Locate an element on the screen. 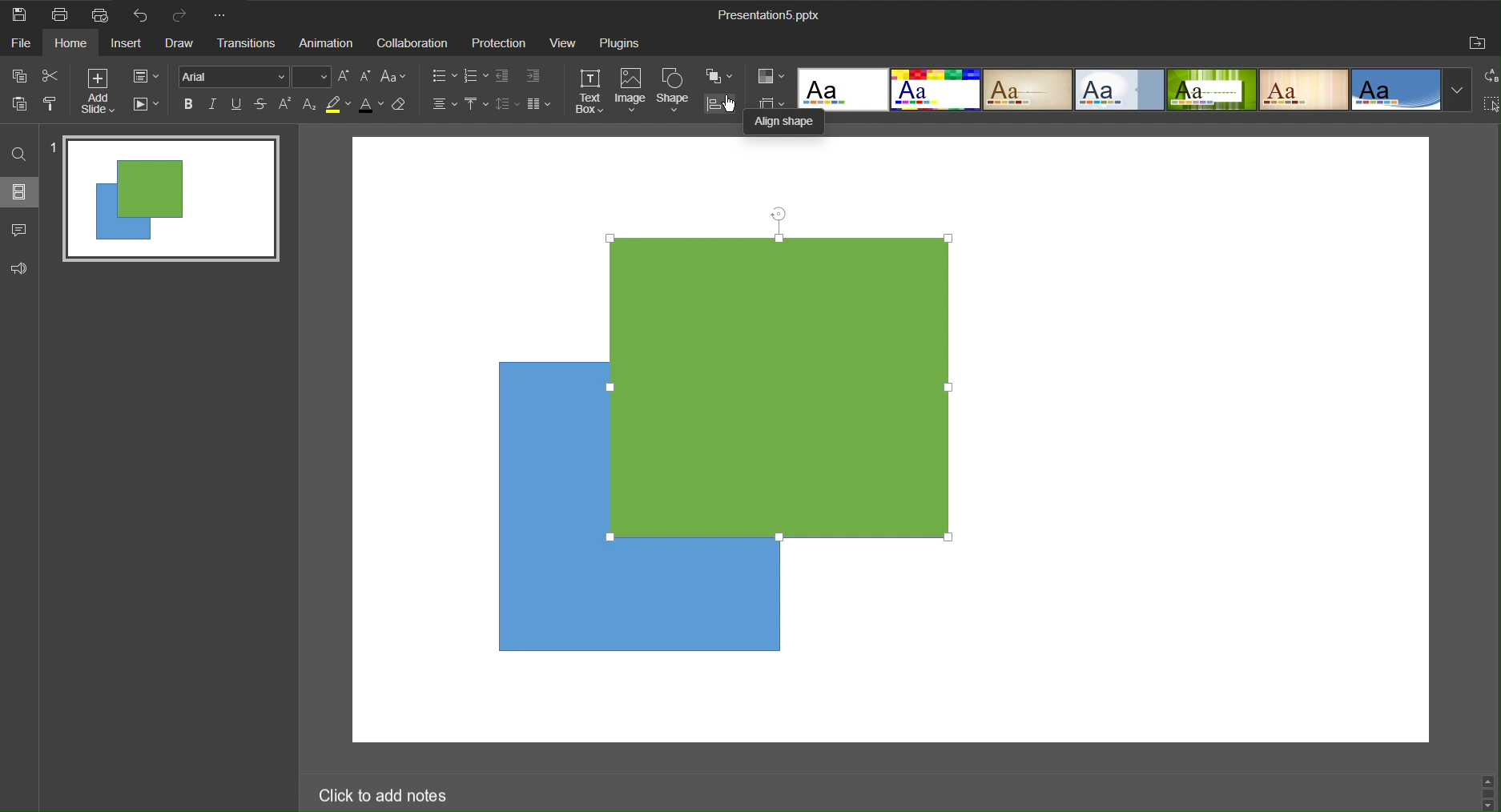  Slide Settings is located at coordinates (145, 78).